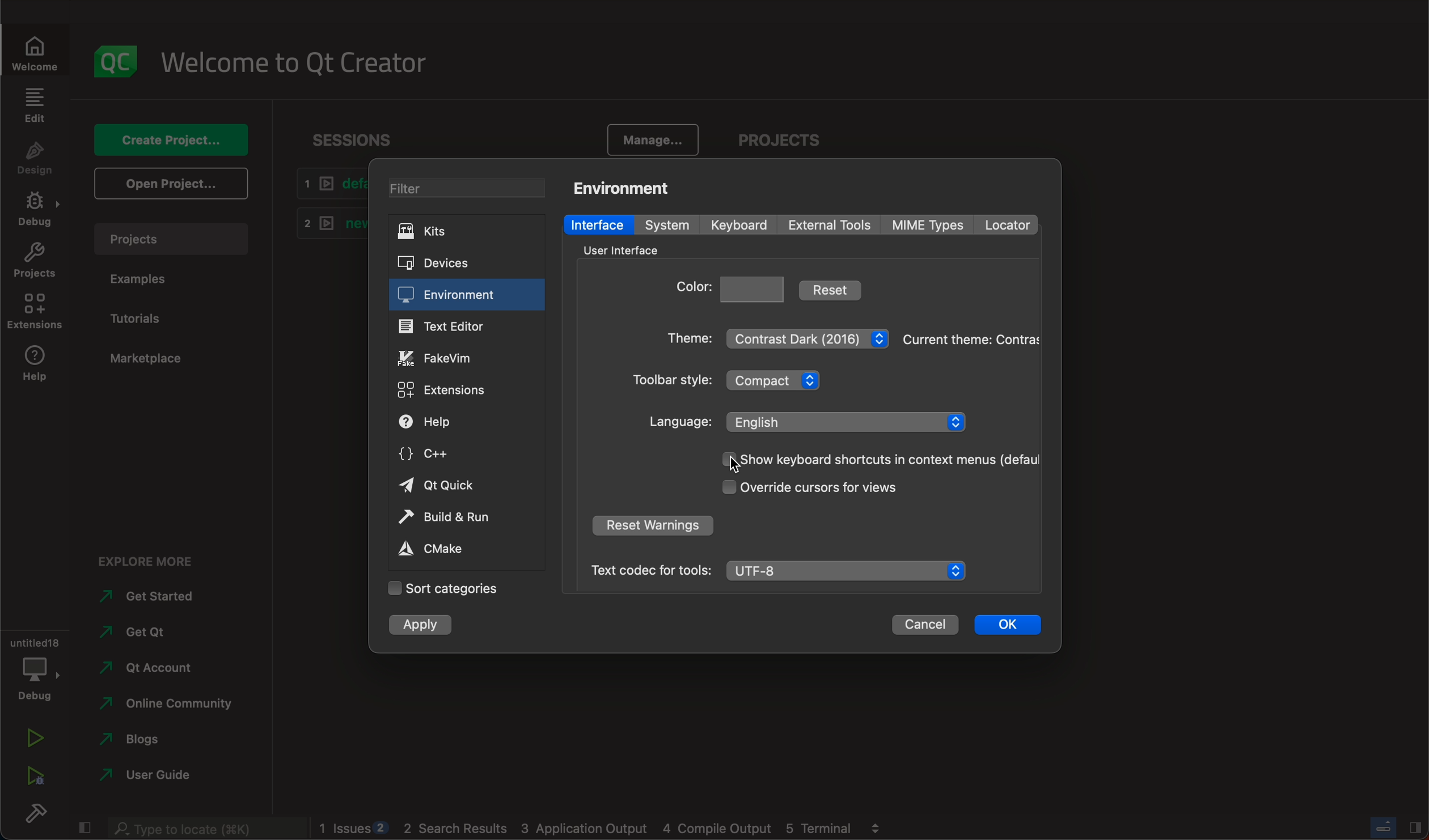 Image resolution: width=1429 pixels, height=840 pixels. What do you see at coordinates (144, 279) in the screenshot?
I see `examples` at bounding box center [144, 279].